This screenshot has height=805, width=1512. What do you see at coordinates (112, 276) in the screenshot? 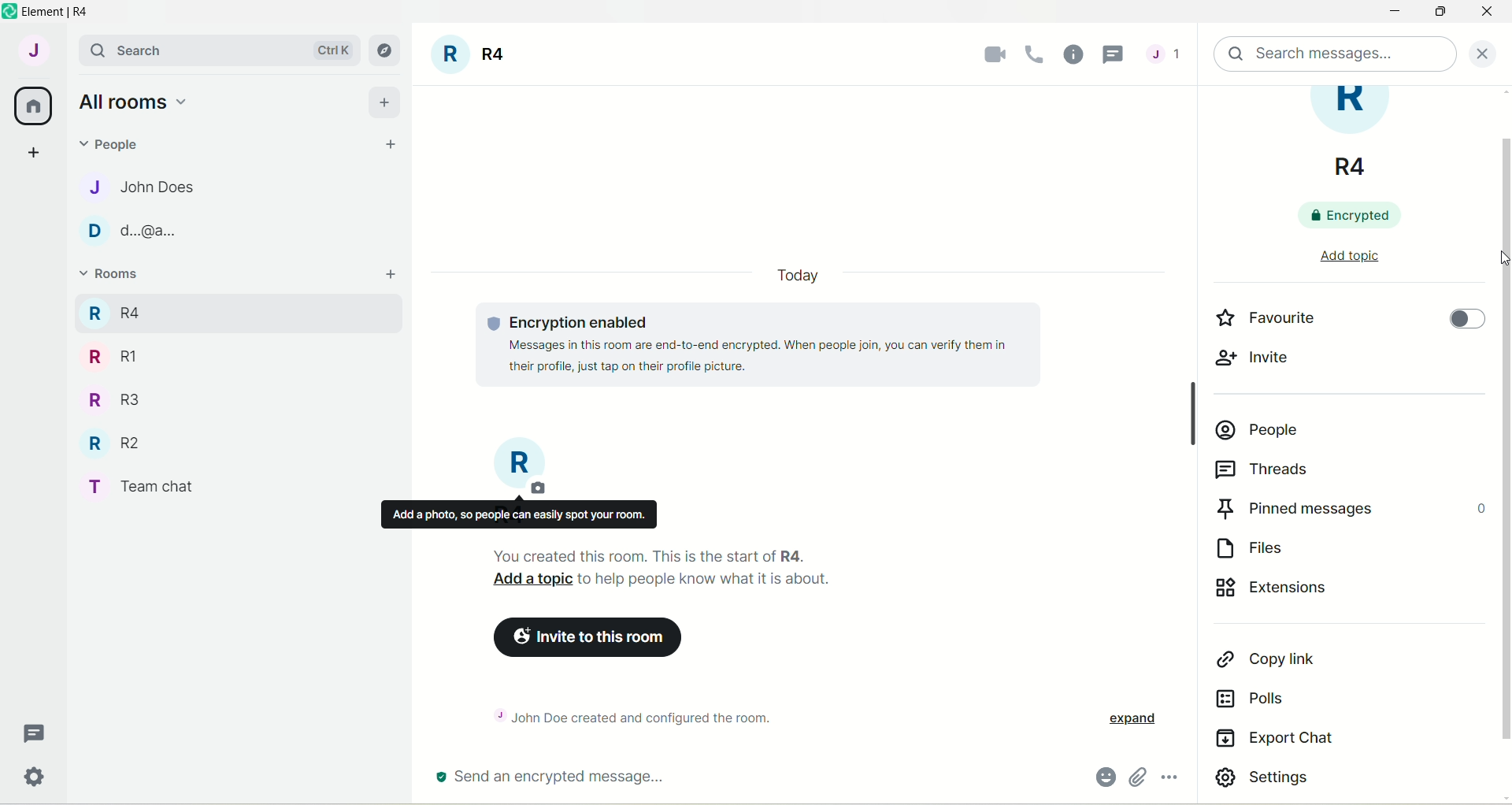
I see `rooms` at bounding box center [112, 276].